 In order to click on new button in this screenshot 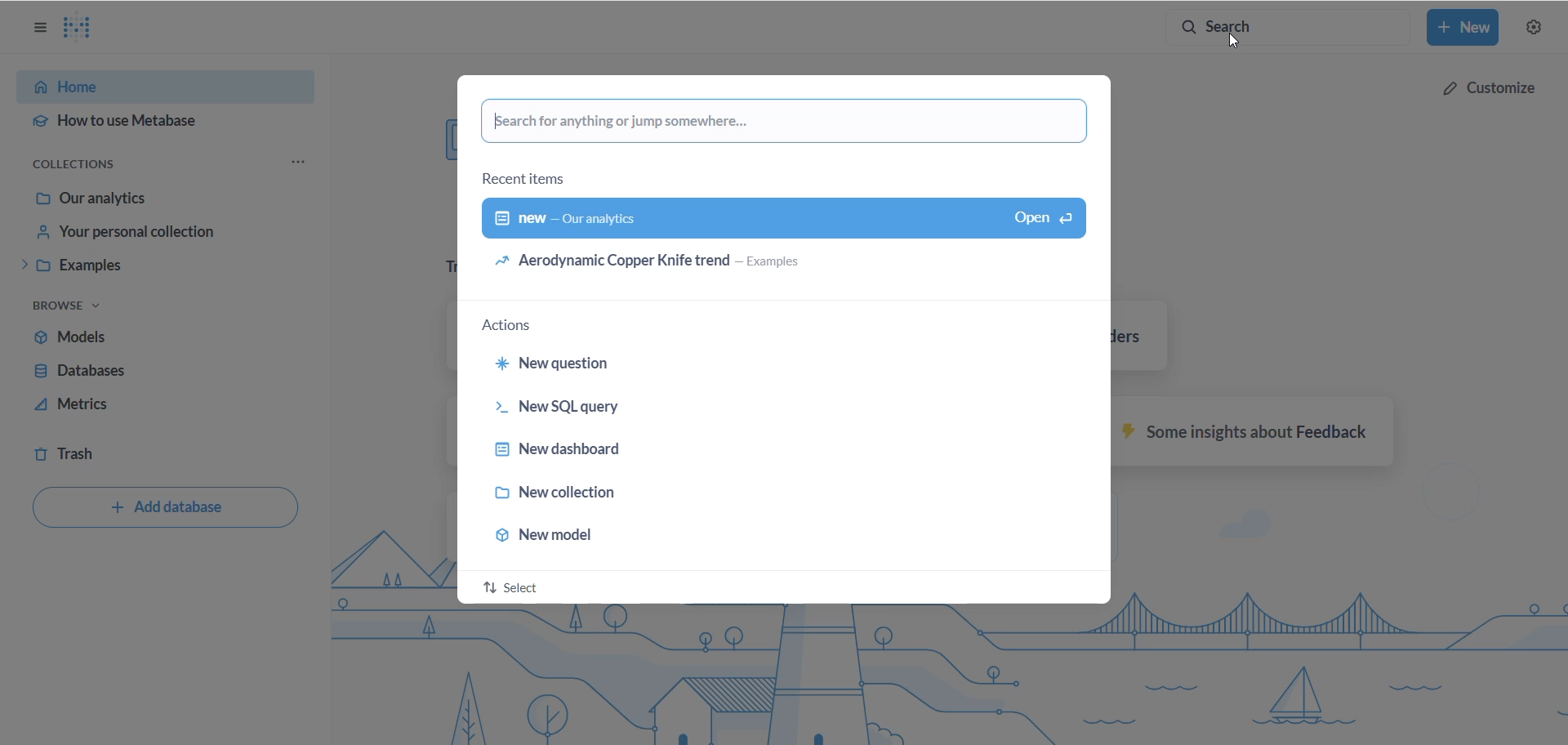, I will do `click(1466, 29)`.